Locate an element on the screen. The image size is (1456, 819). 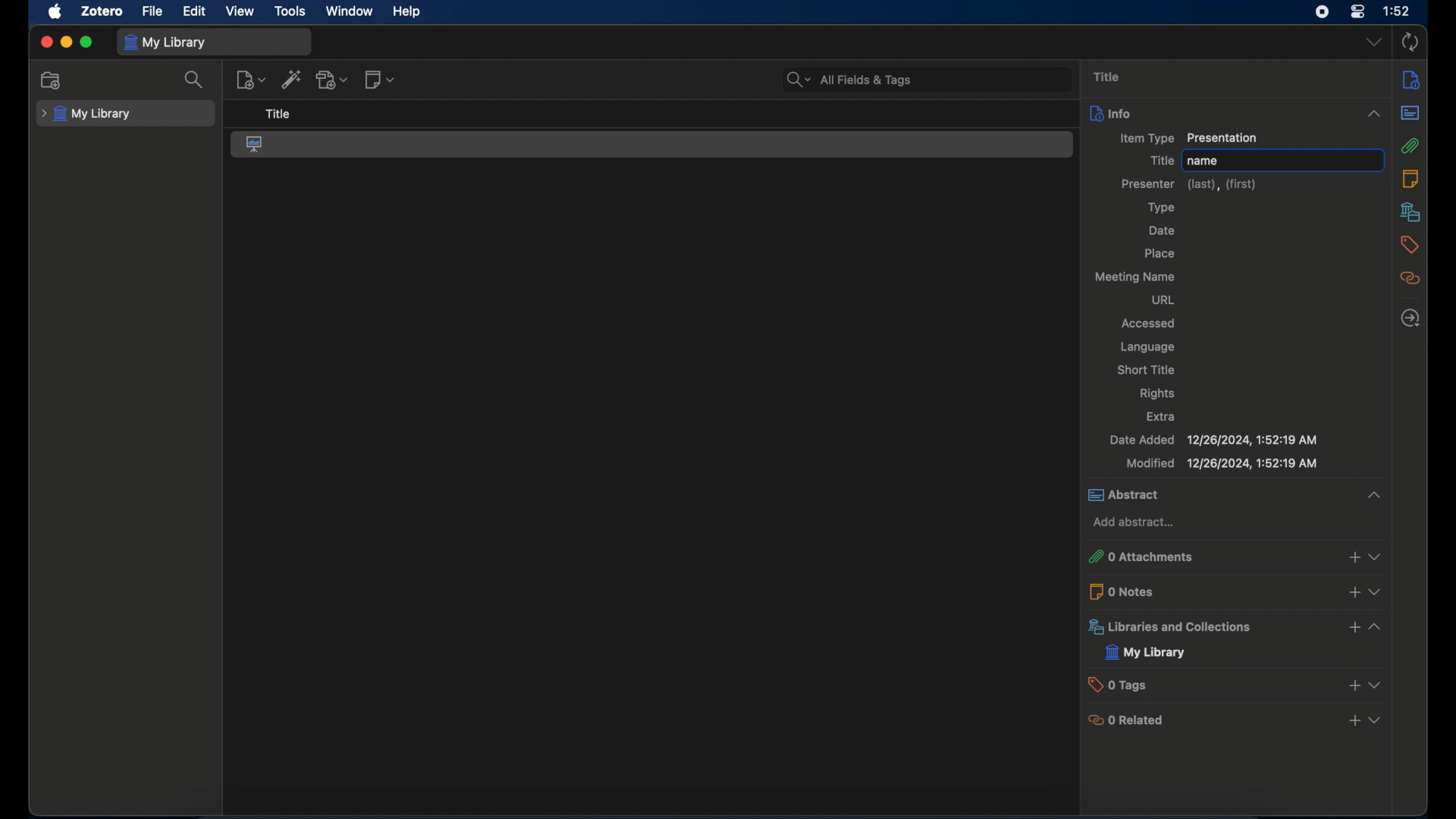
attachments is located at coordinates (1410, 146).